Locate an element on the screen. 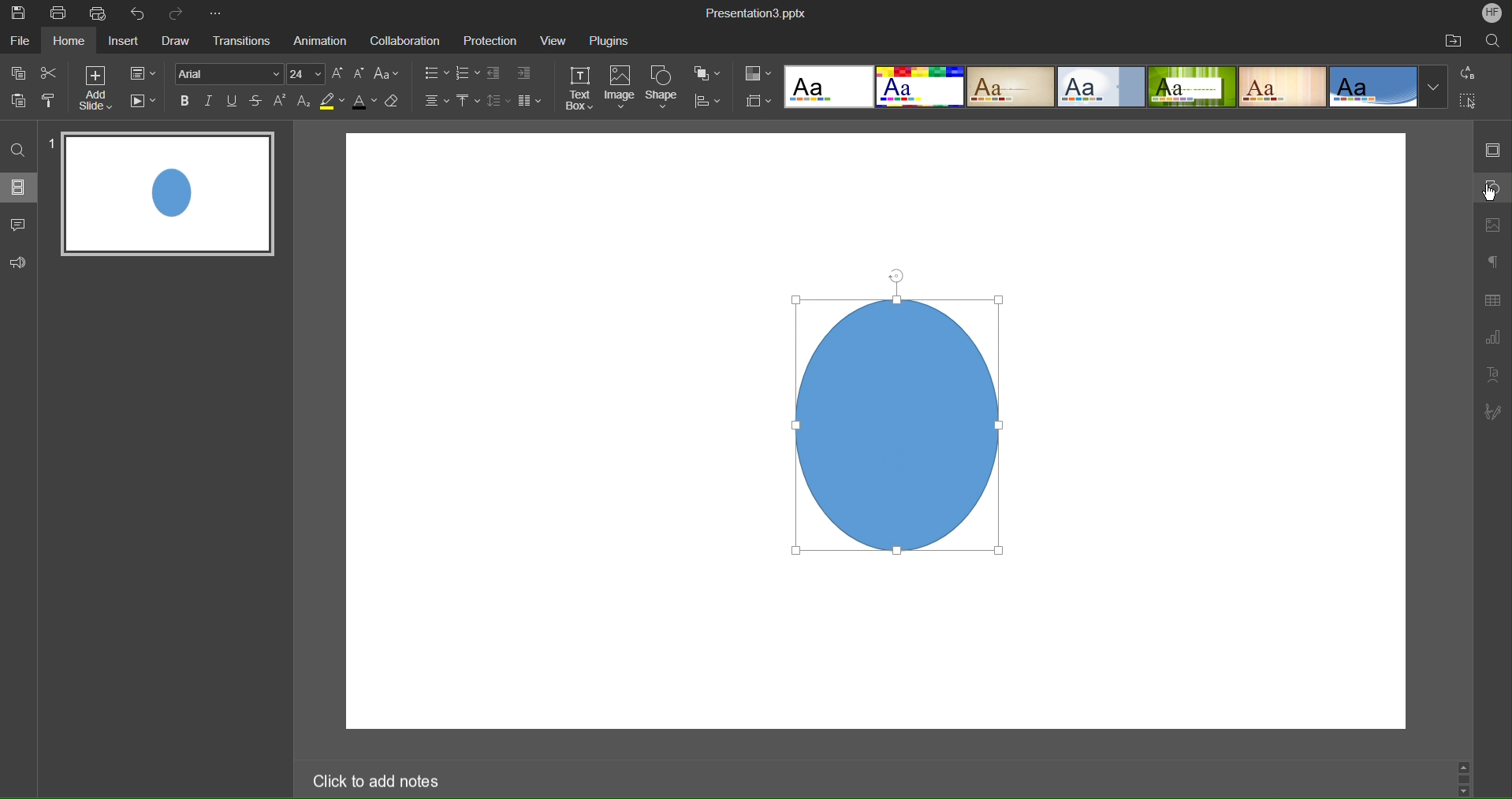  Click to add notes is located at coordinates (378, 781).